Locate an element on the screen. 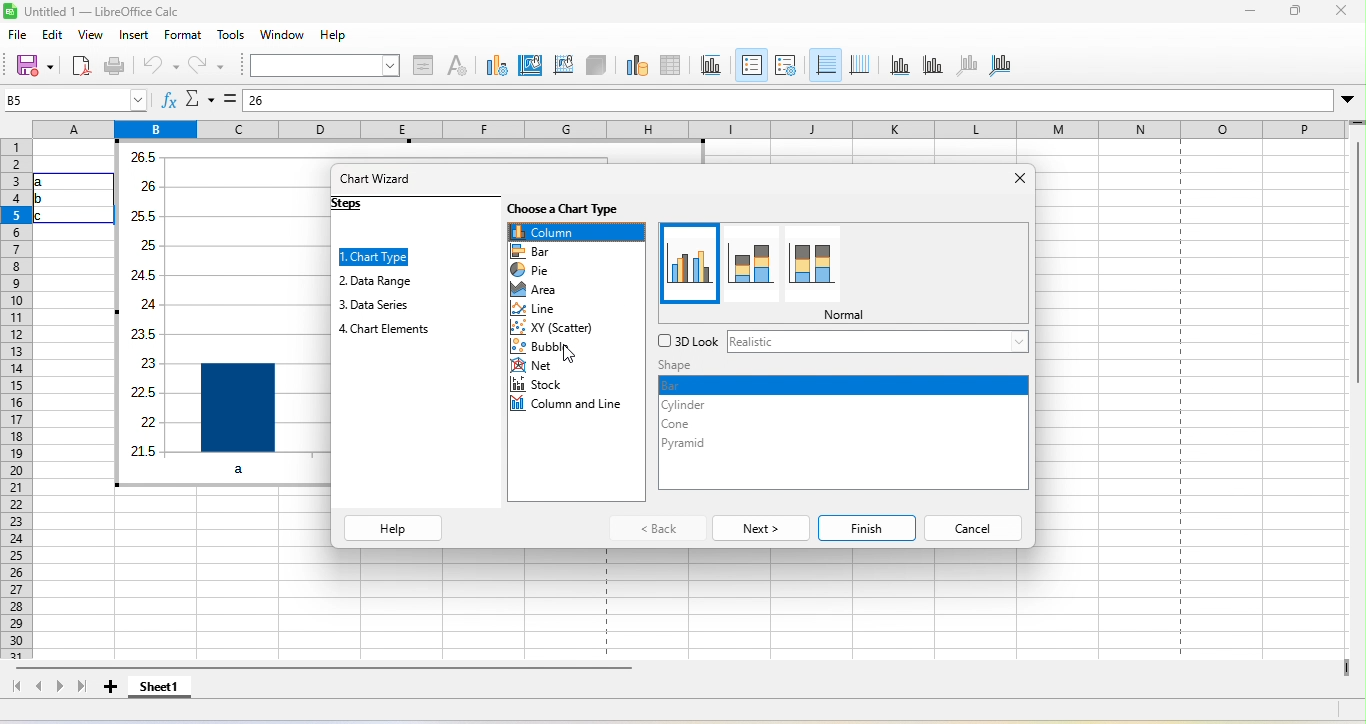  x axis is located at coordinates (898, 66).